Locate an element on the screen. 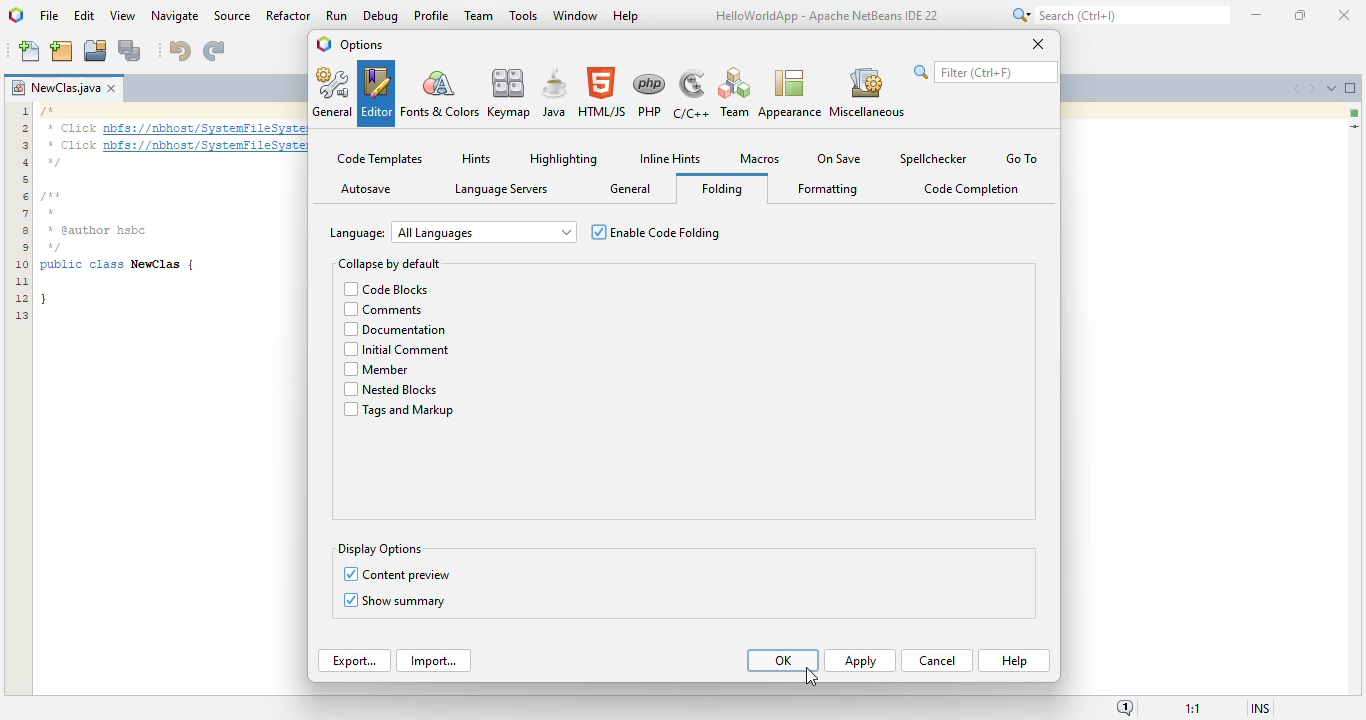 Image resolution: width=1366 pixels, height=720 pixels. Checkbox is located at coordinates (347, 600).